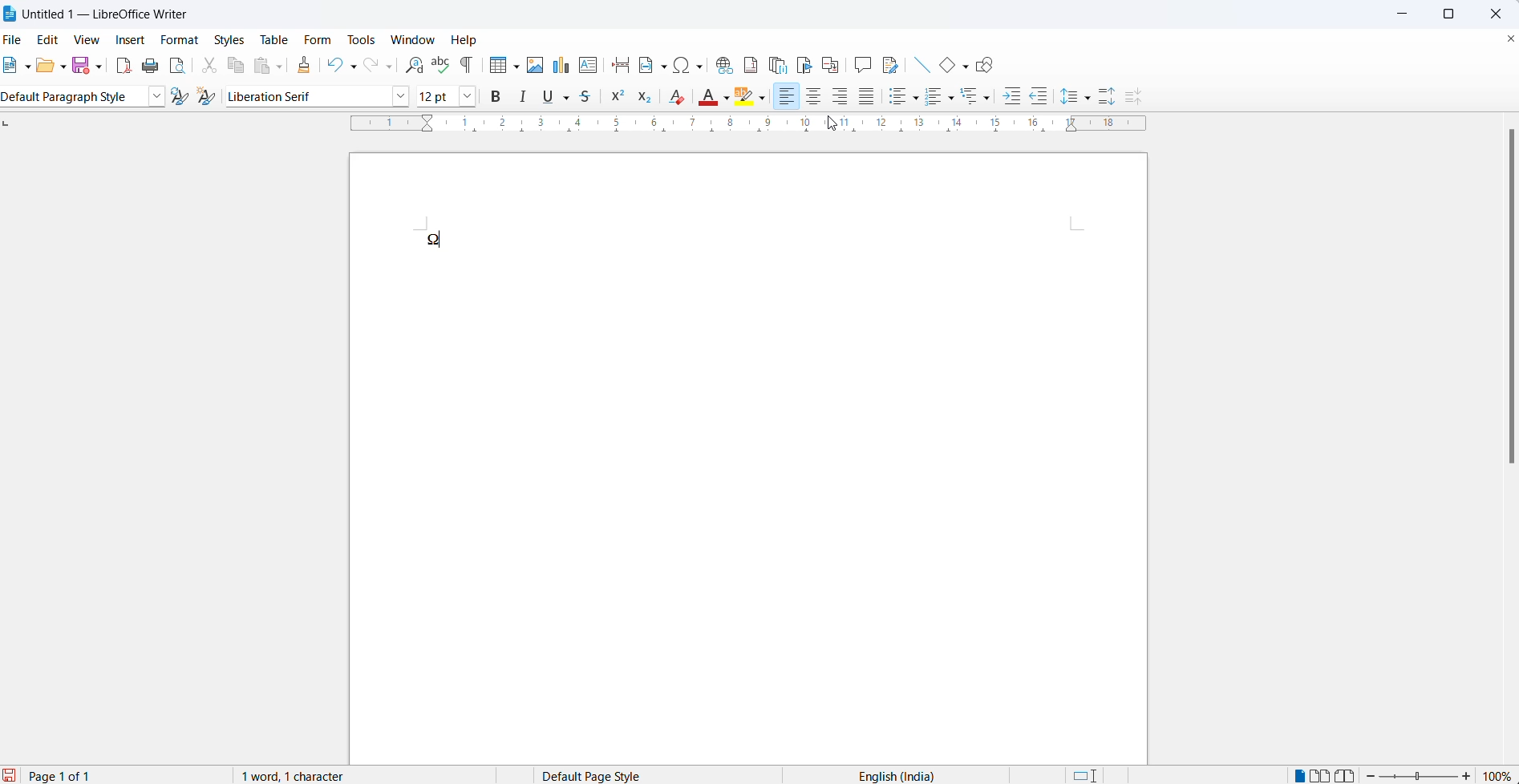  Describe the element at coordinates (720, 60) in the screenshot. I see `insert hyperlink` at that location.